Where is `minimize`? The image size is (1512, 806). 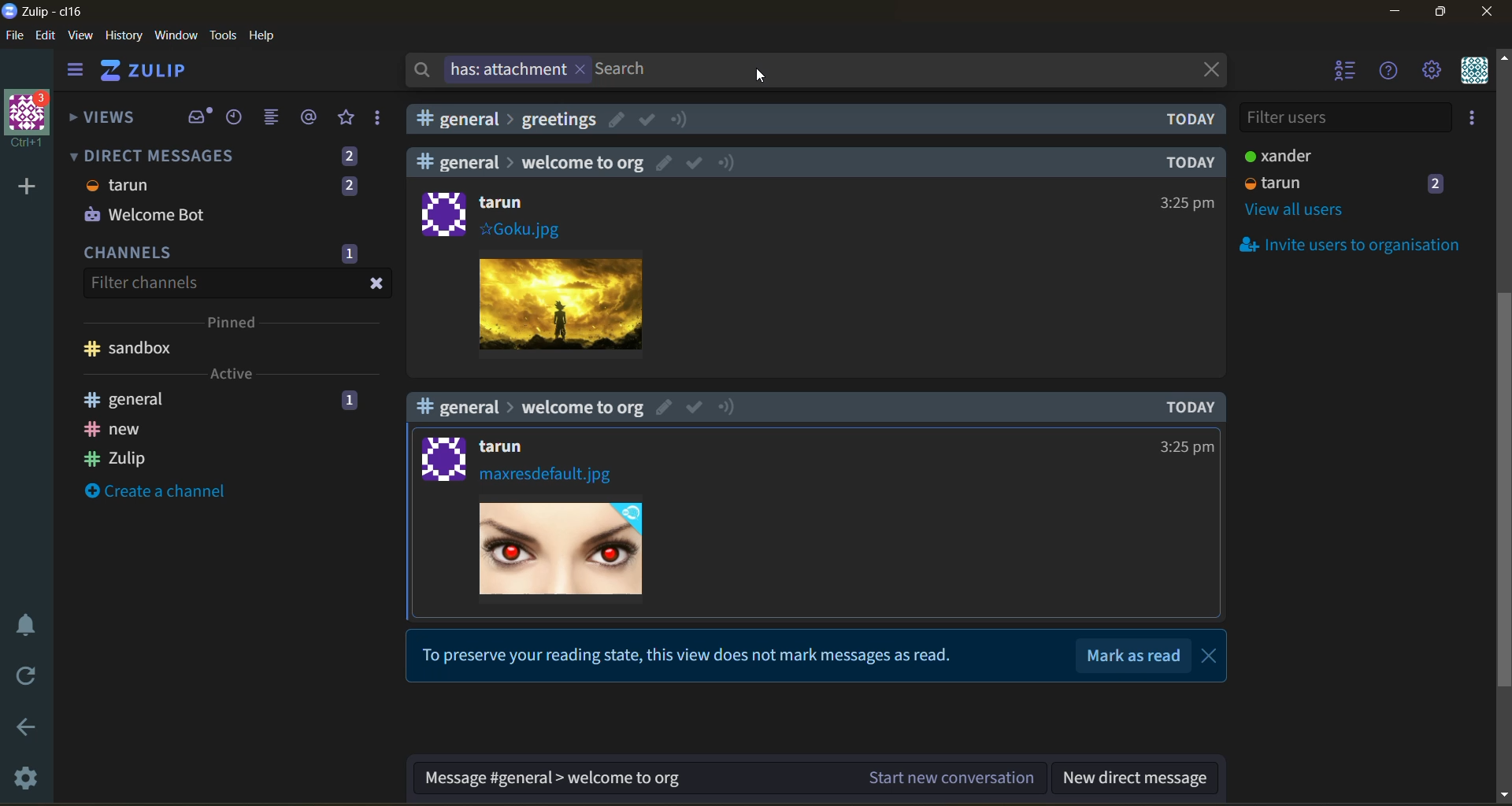
minimize is located at coordinates (1395, 12).